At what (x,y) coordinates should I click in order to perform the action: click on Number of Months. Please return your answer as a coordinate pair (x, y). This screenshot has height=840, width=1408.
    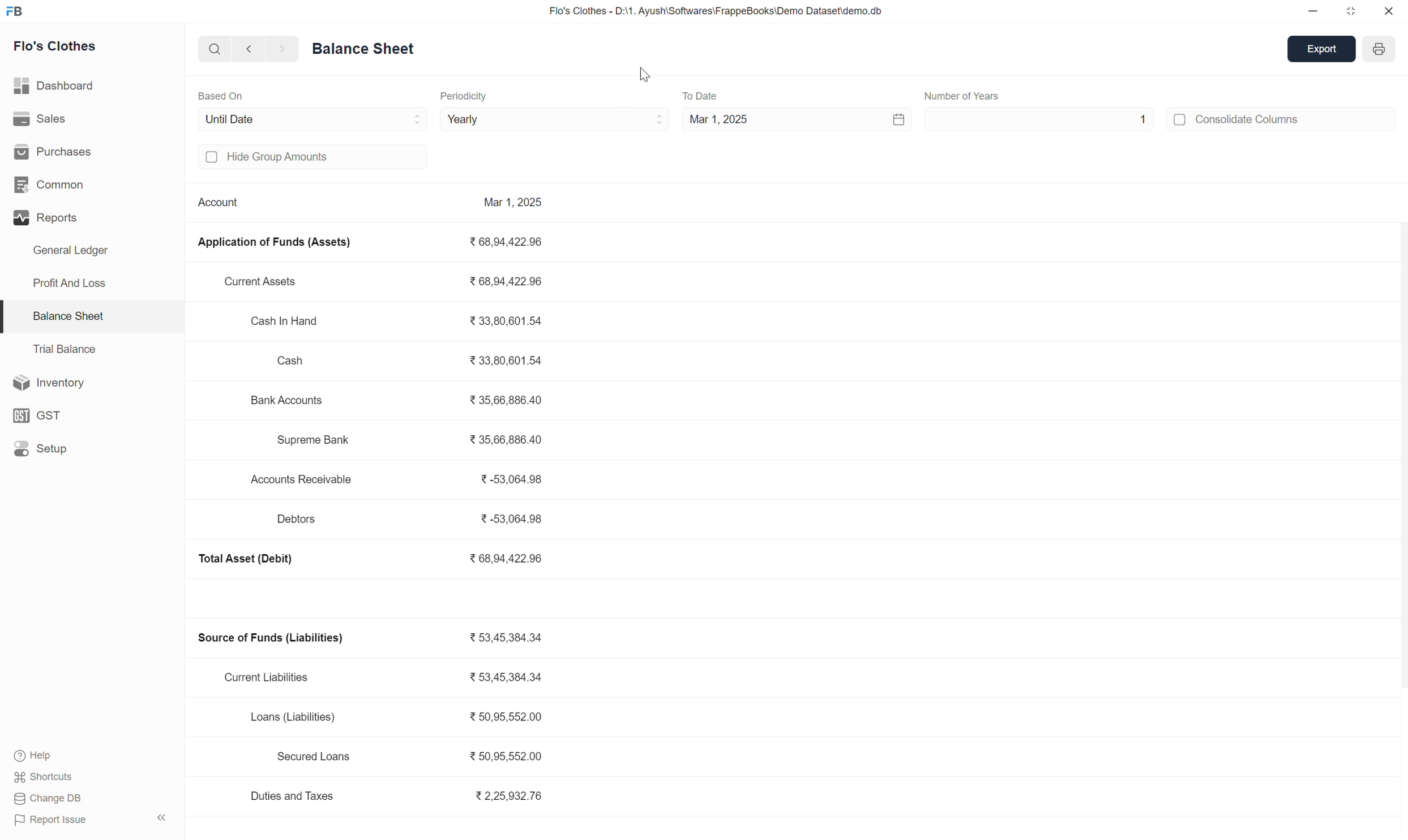
    Looking at the image, I should click on (972, 97).